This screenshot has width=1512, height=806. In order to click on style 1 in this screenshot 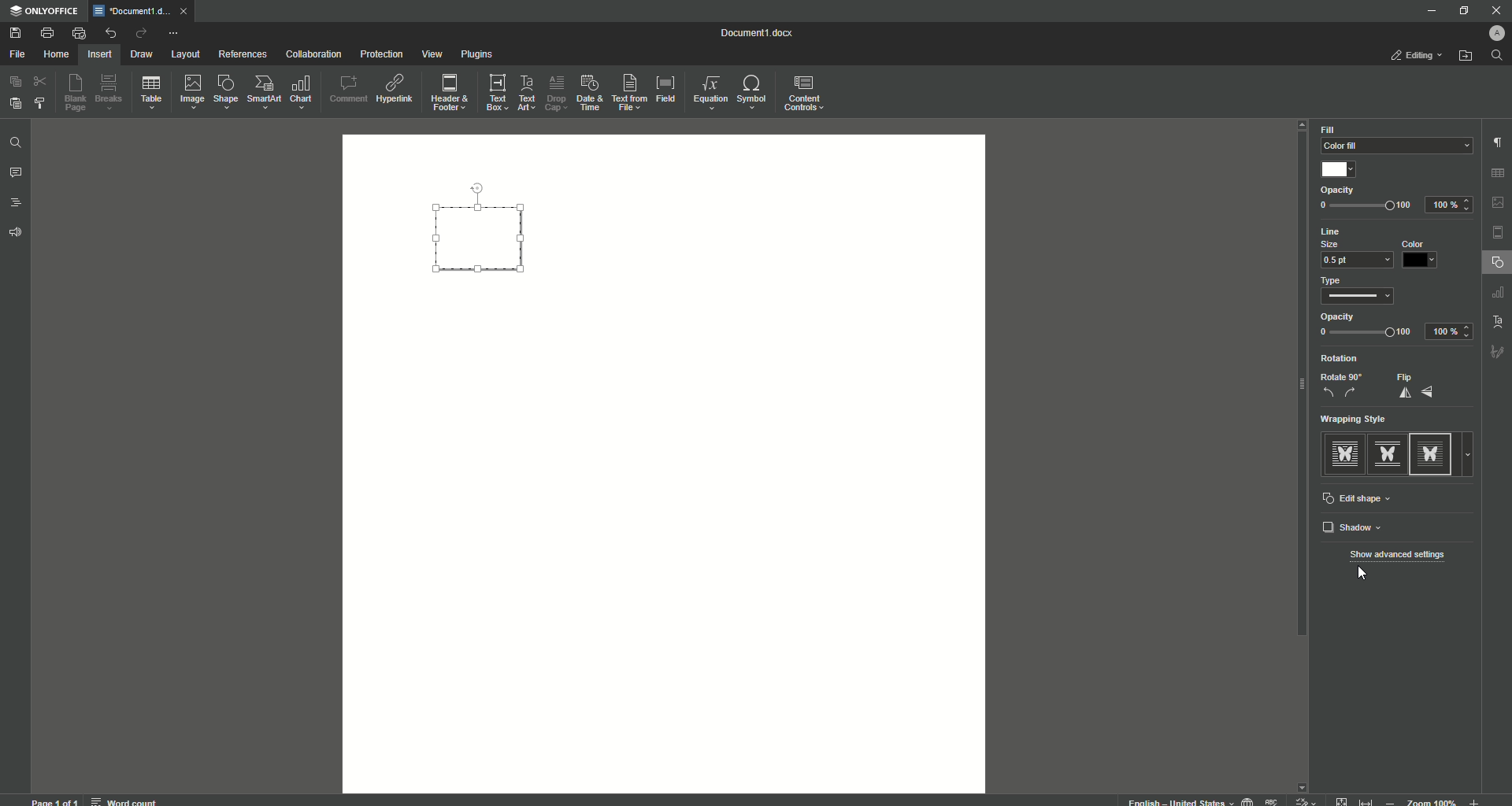, I will do `click(1343, 453)`.